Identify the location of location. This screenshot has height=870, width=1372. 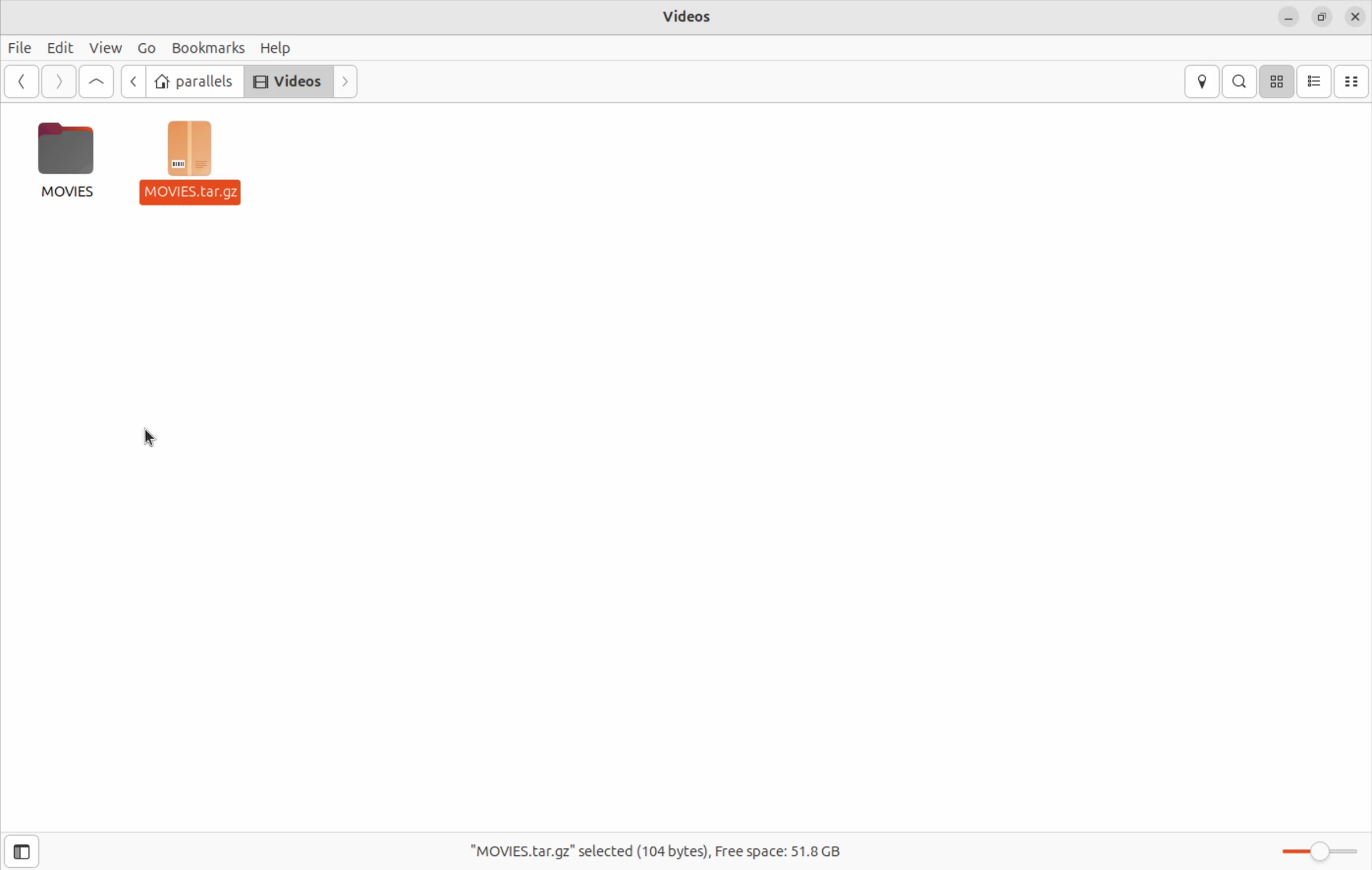
(1203, 80).